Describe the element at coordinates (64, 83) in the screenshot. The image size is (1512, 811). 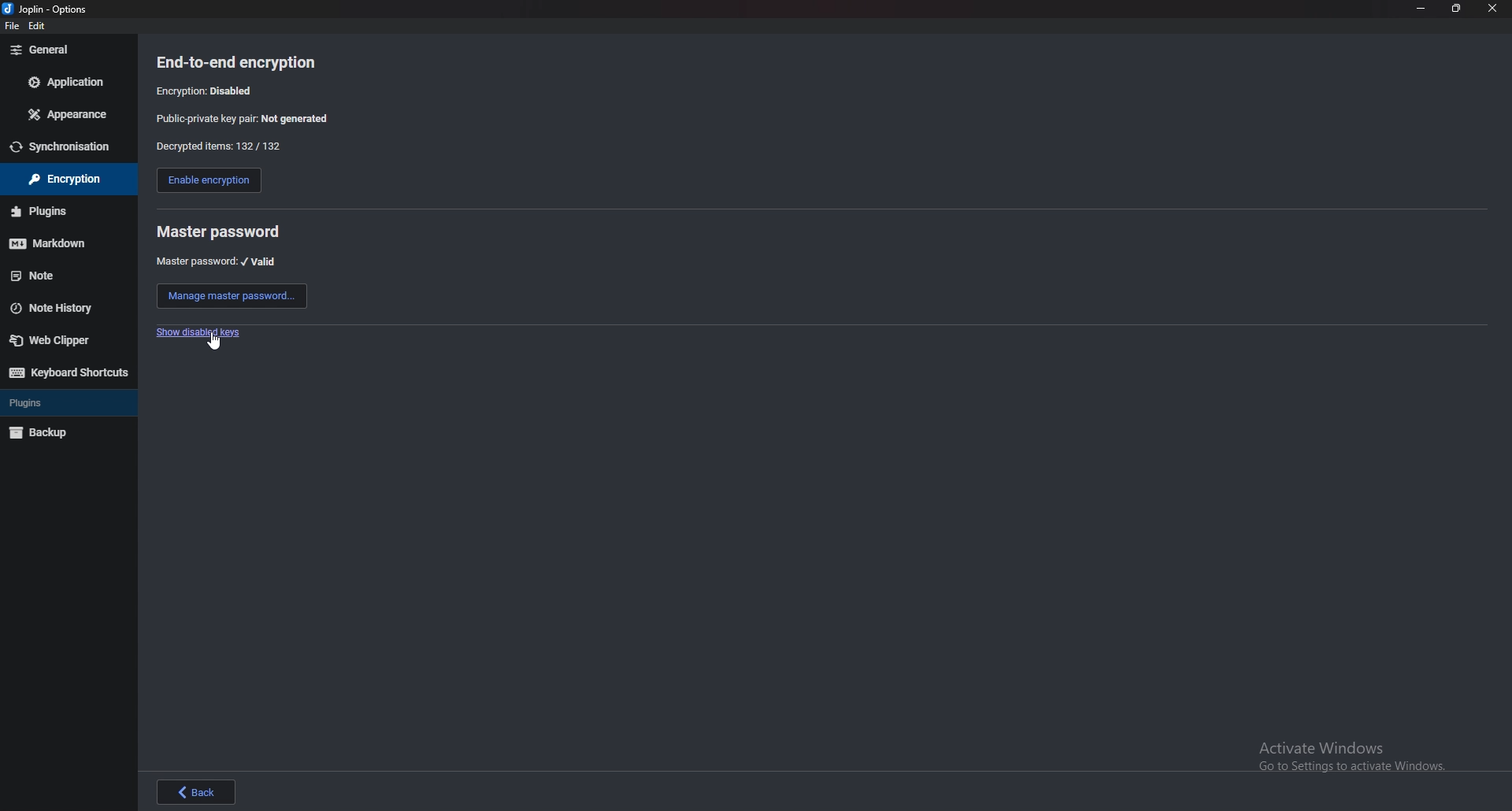
I see `application` at that location.